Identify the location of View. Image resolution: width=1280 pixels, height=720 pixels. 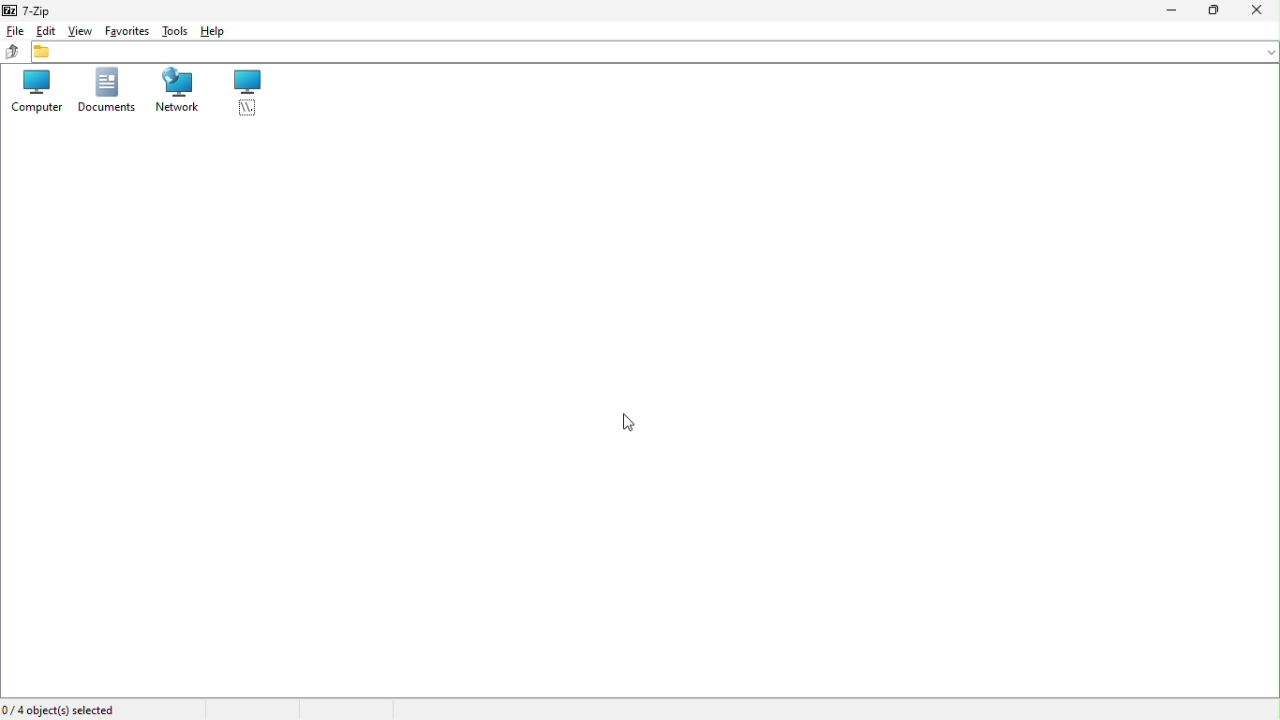
(80, 31).